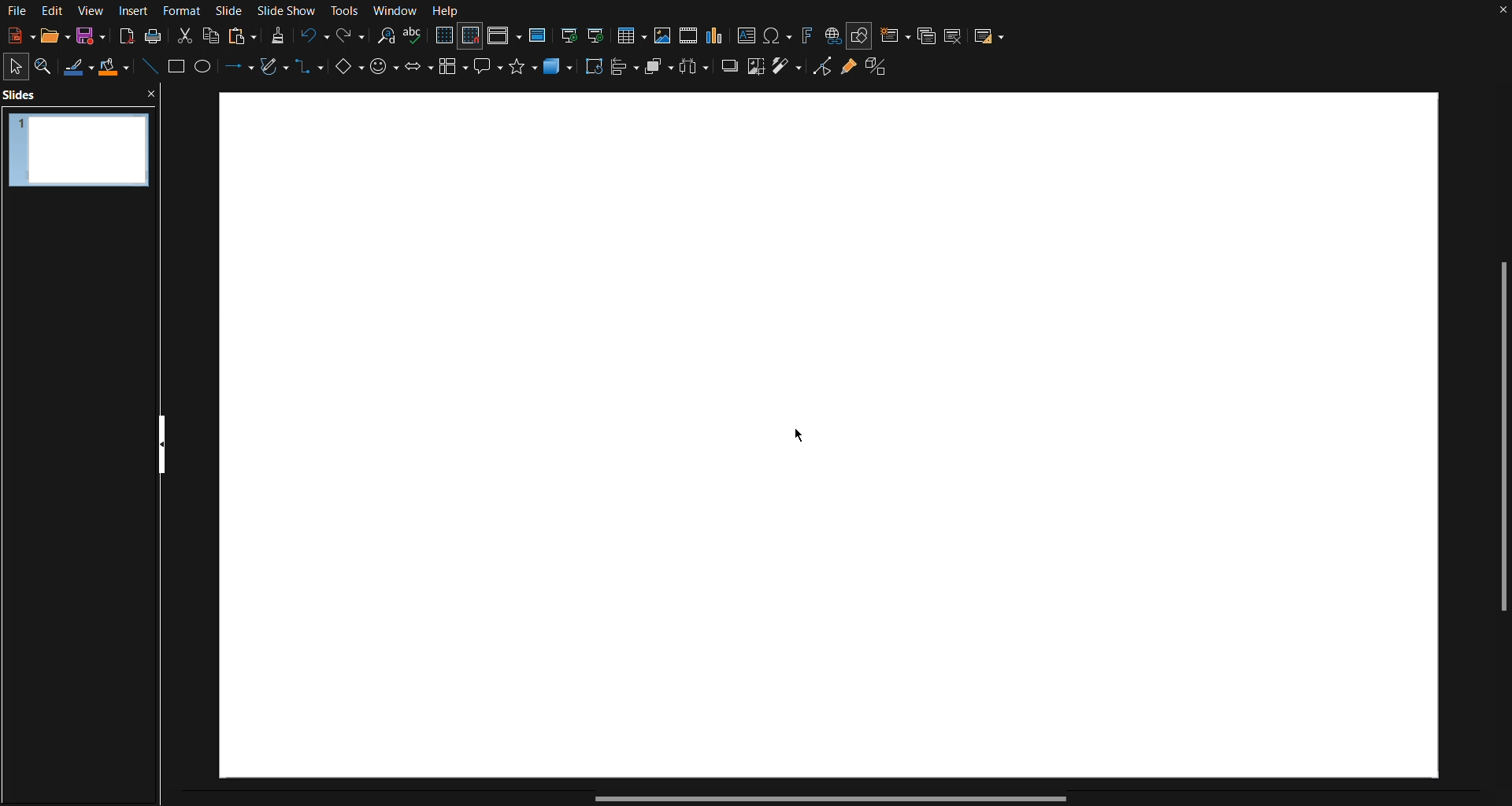 The width and height of the screenshot is (1512, 806). What do you see at coordinates (569, 34) in the screenshot?
I see `Start from First Slide` at bounding box center [569, 34].